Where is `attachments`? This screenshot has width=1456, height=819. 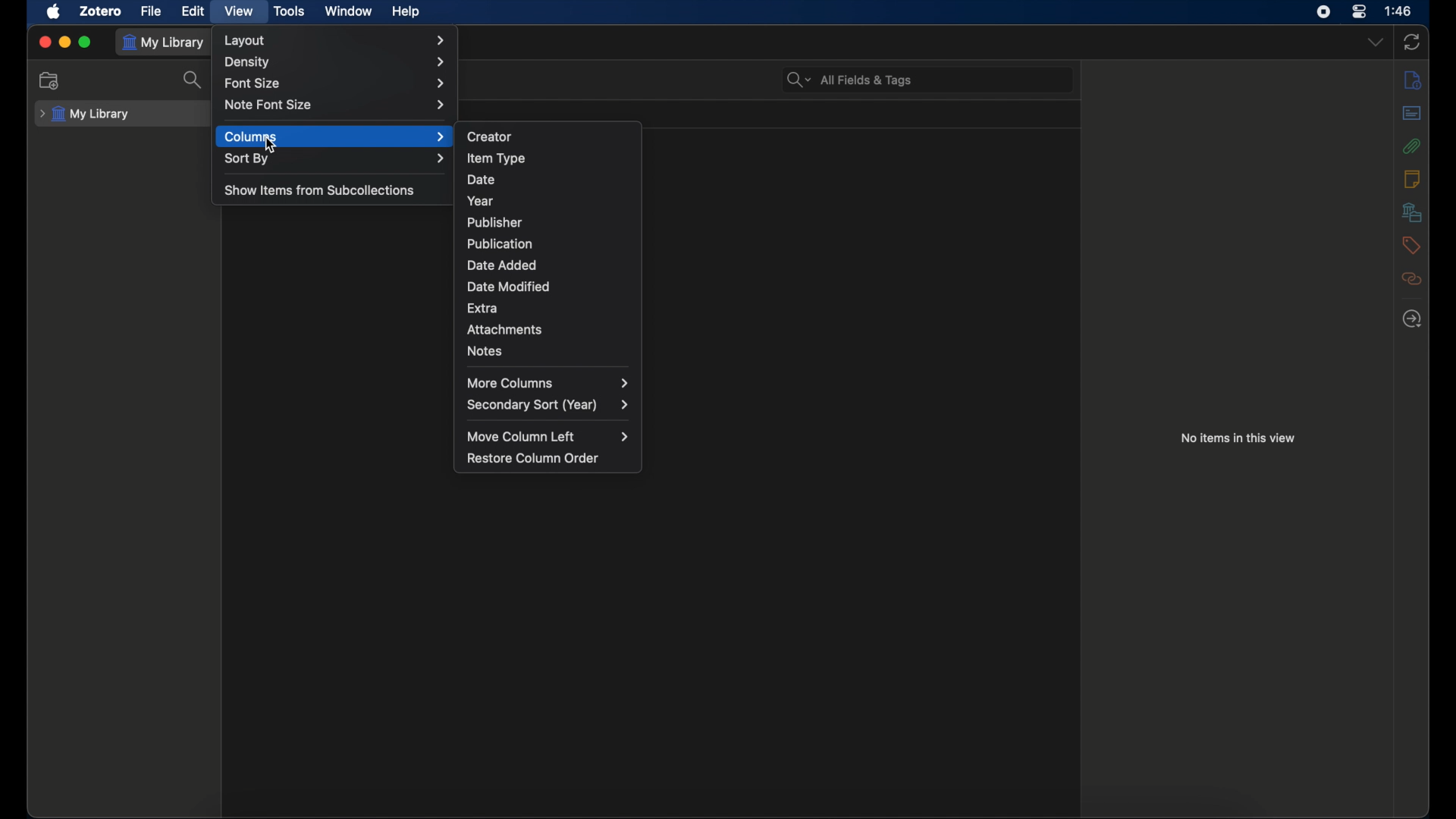
attachments is located at coordinates (1410, 146).